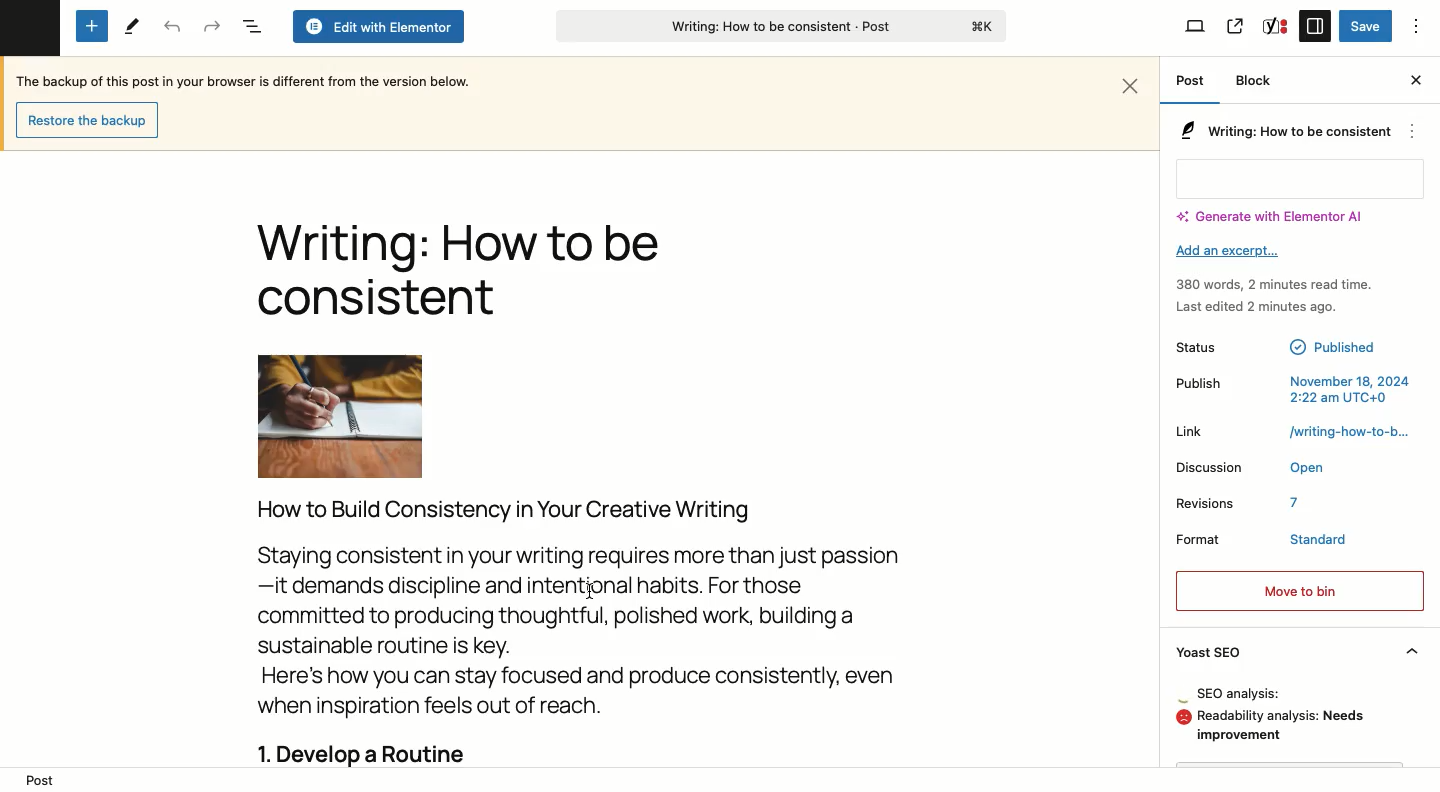 Image resolution: width=1440 pixels, height=792 pixels. I want to click on Add an excerpt, so click(1231, 250).